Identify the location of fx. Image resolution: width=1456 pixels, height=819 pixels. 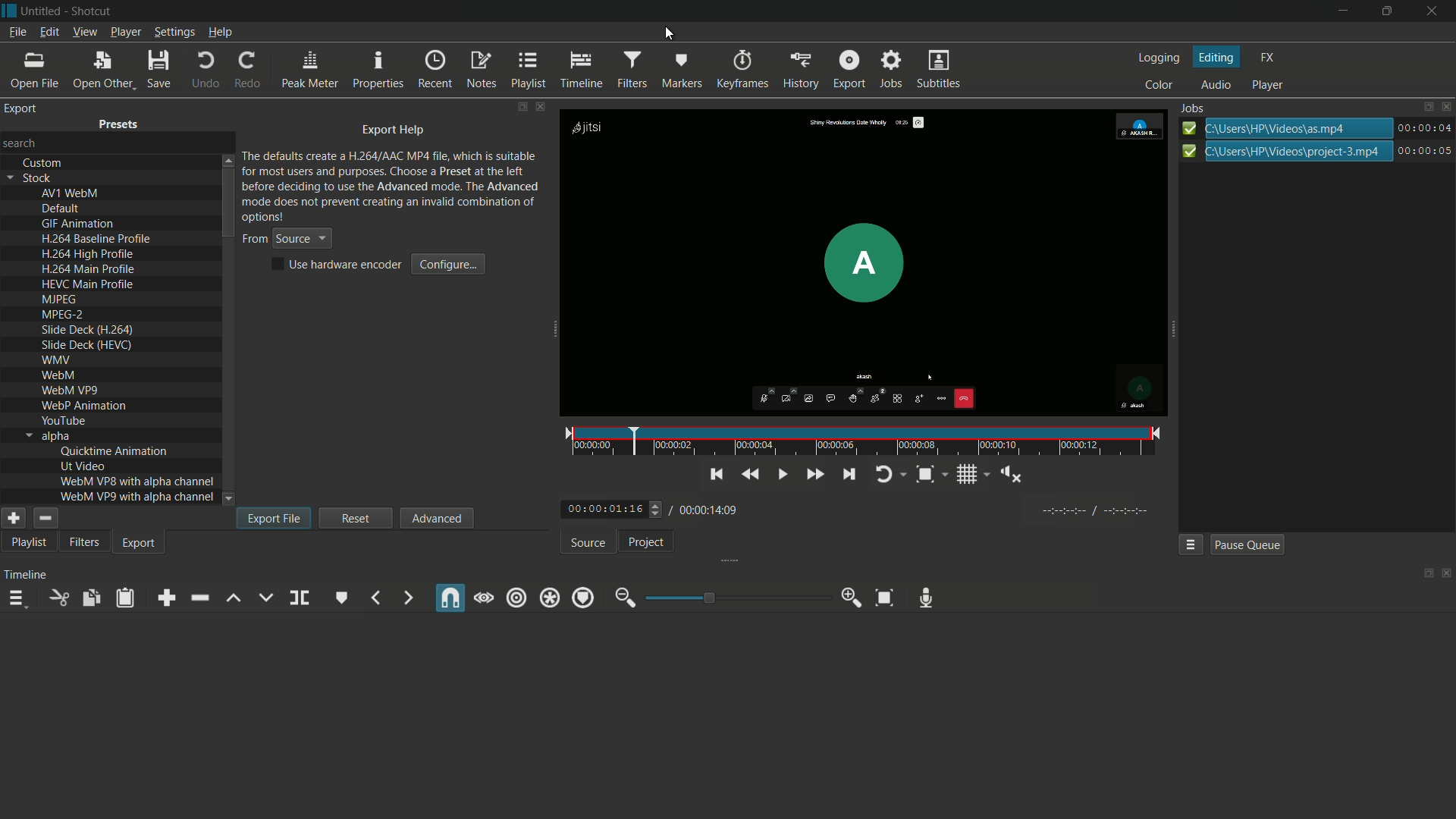
(1268, 58).